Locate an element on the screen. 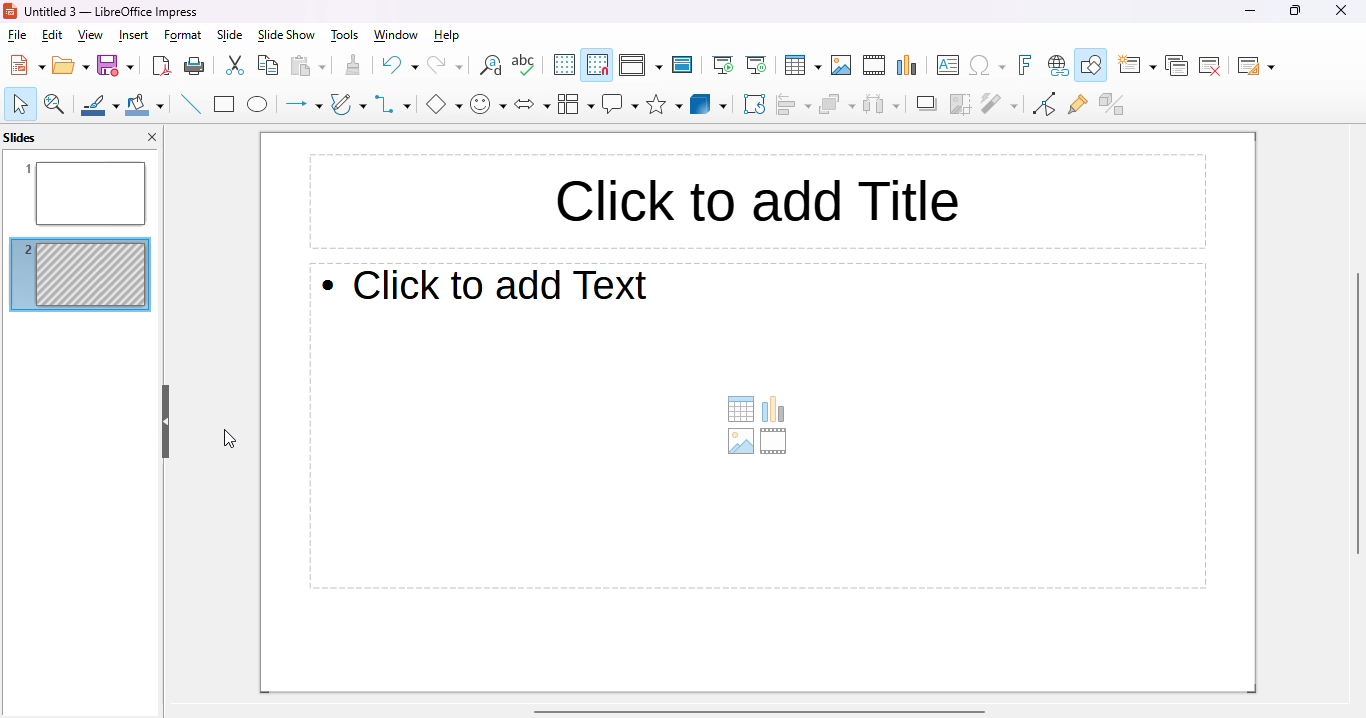  fill color is located at coordinates (145, 106).